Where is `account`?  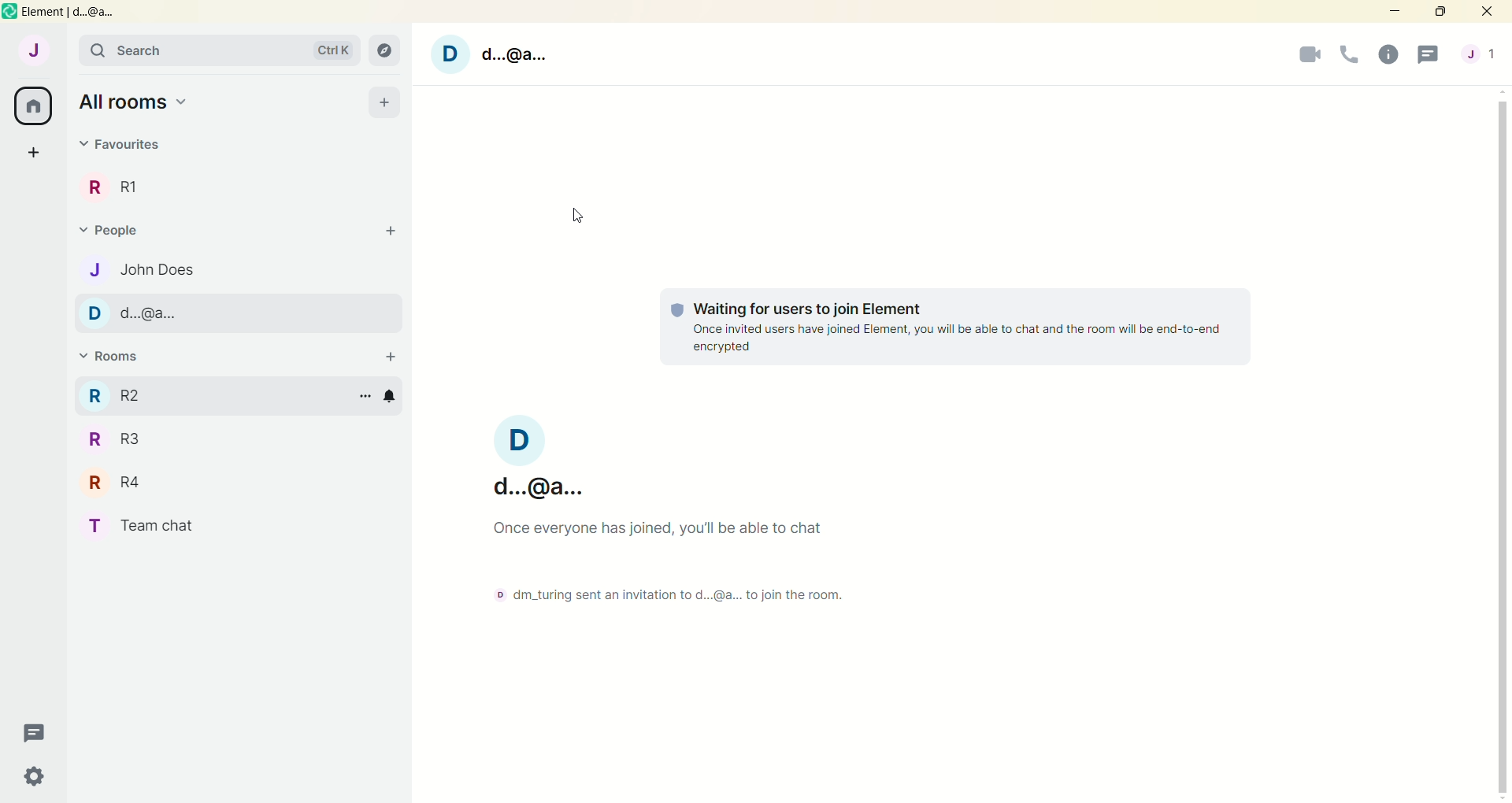
account is located at coordinates (39, 51).